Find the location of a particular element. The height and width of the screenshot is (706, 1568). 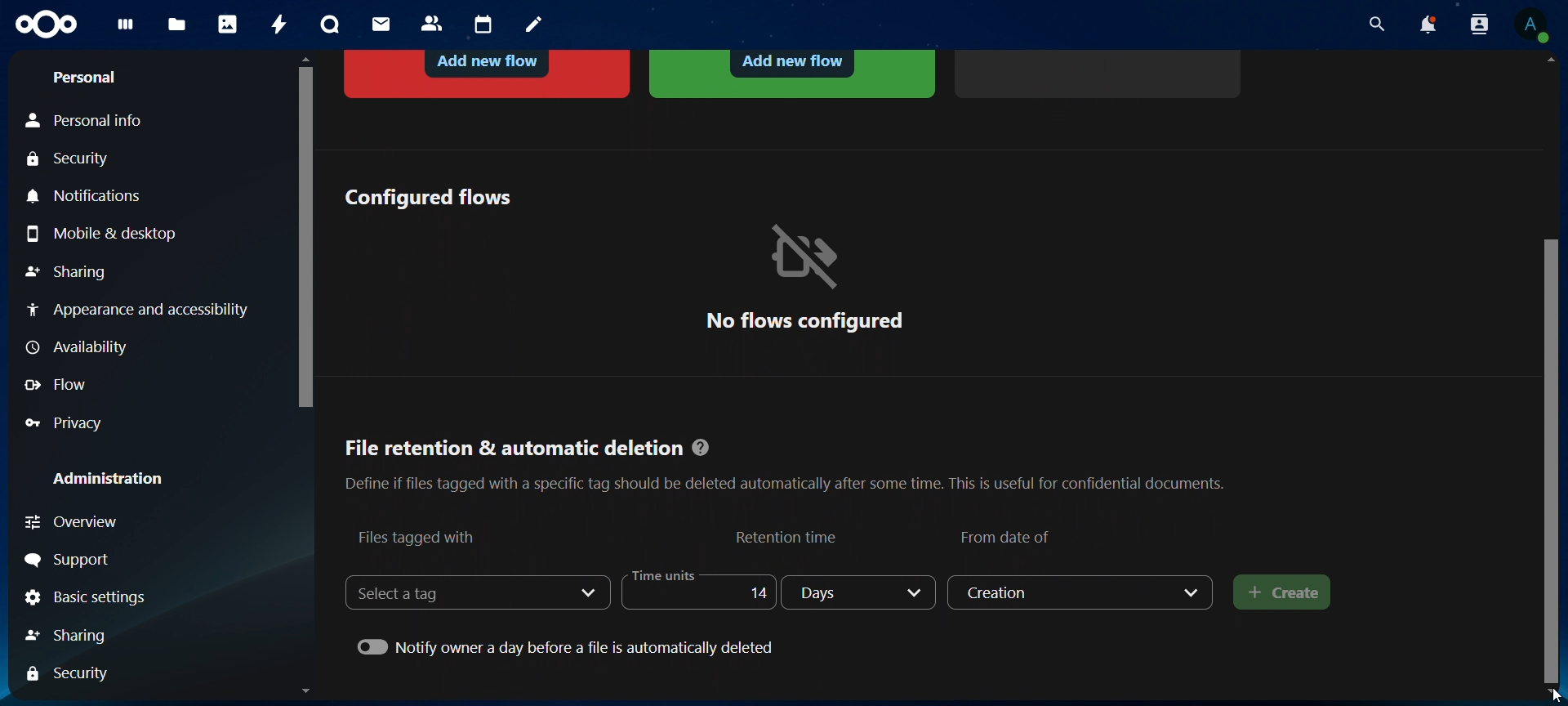

search is located at coordinates (1373, 25).